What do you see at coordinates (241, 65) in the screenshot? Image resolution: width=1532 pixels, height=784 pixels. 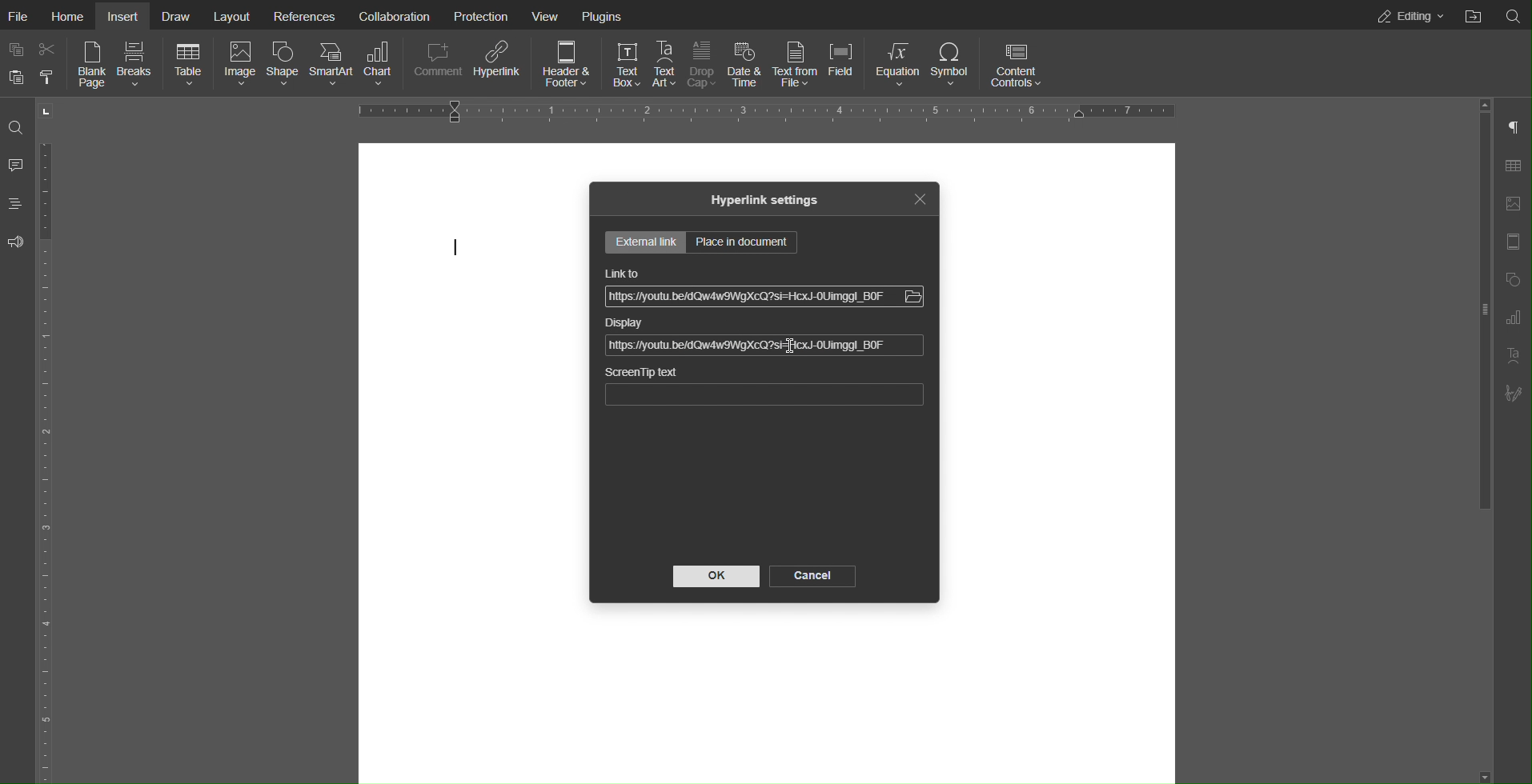 I see `Image` at bounding box center [241, 65].